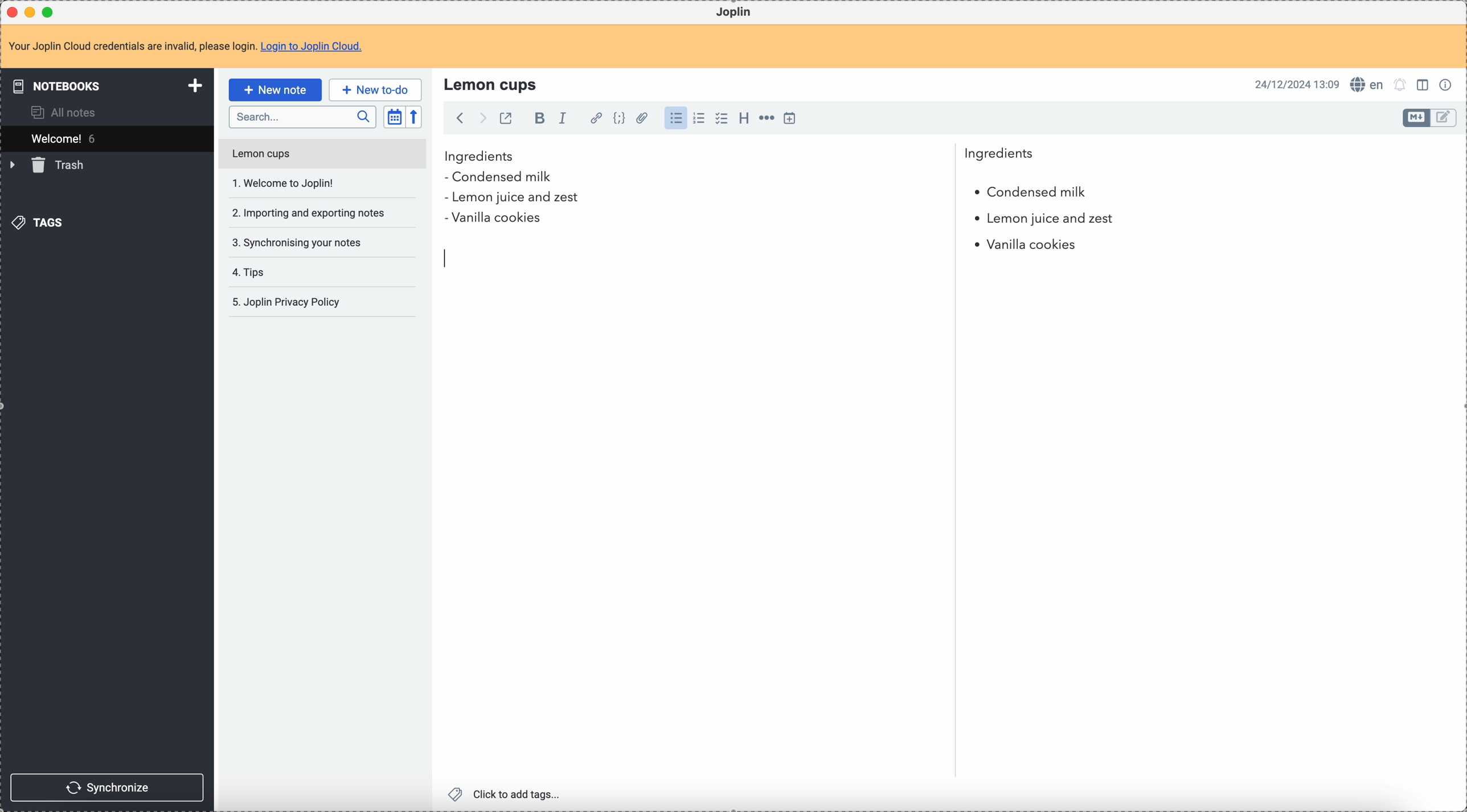 Image resolution: width=1467 pixels, height=812 pixels. What do you see at coordinates (14, 13) in the screenshot?
I see `close` at bounding box center [14, 13].